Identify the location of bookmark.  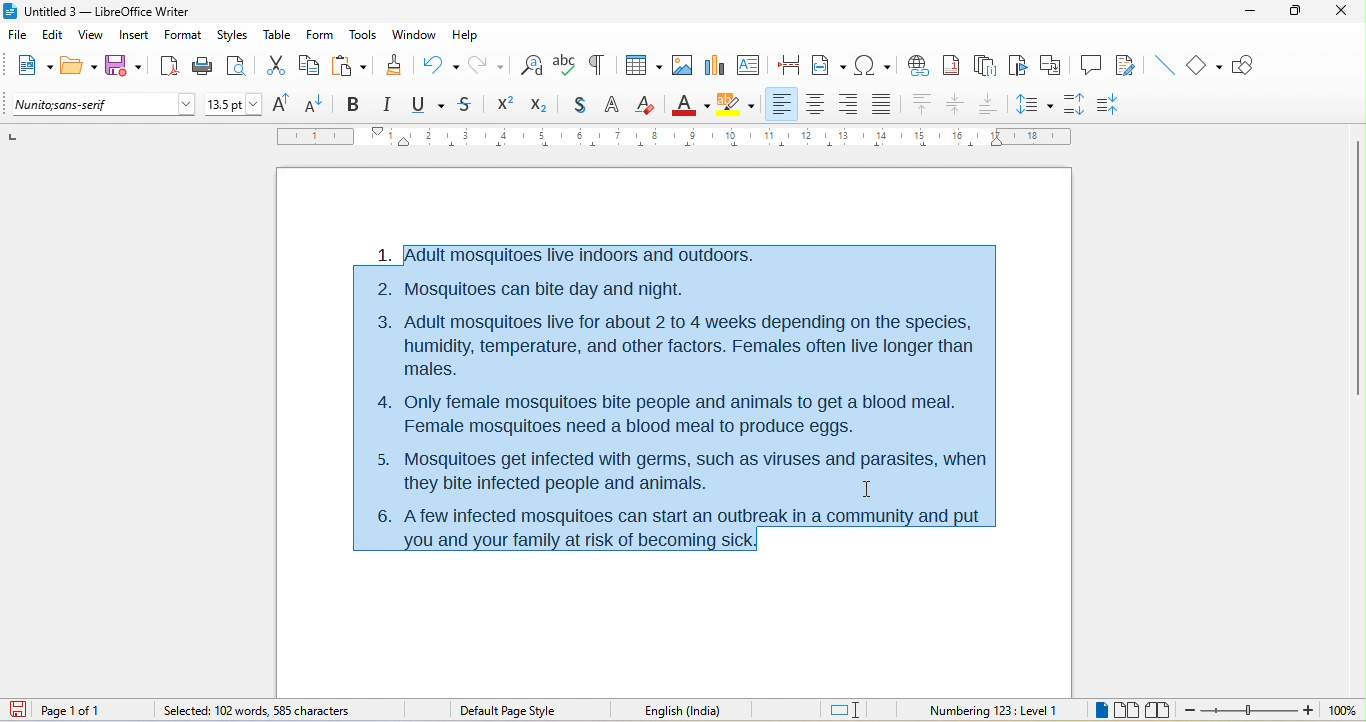
(1019, 66).